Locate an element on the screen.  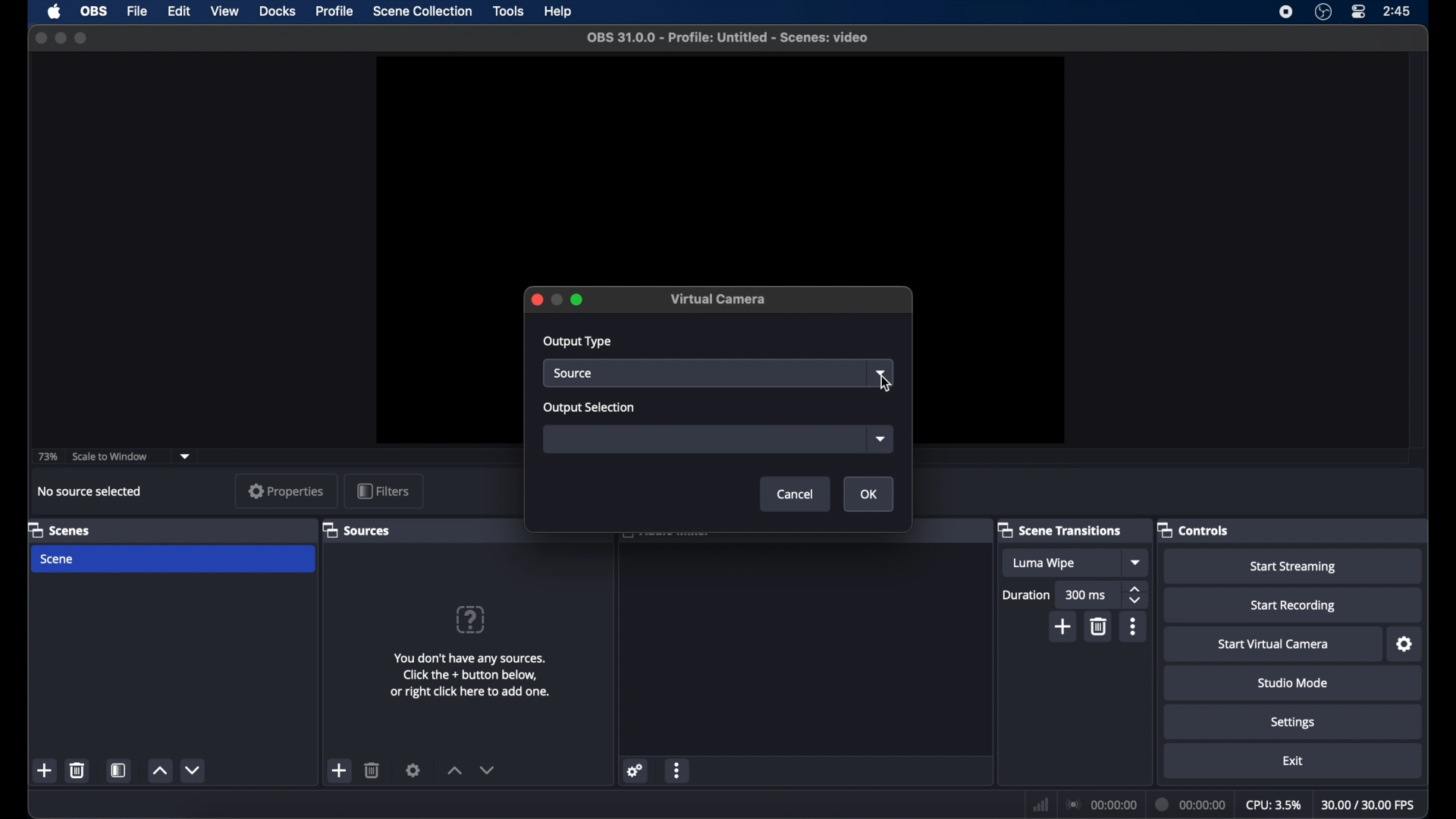
dropdown is located at coordinates (186, 455).